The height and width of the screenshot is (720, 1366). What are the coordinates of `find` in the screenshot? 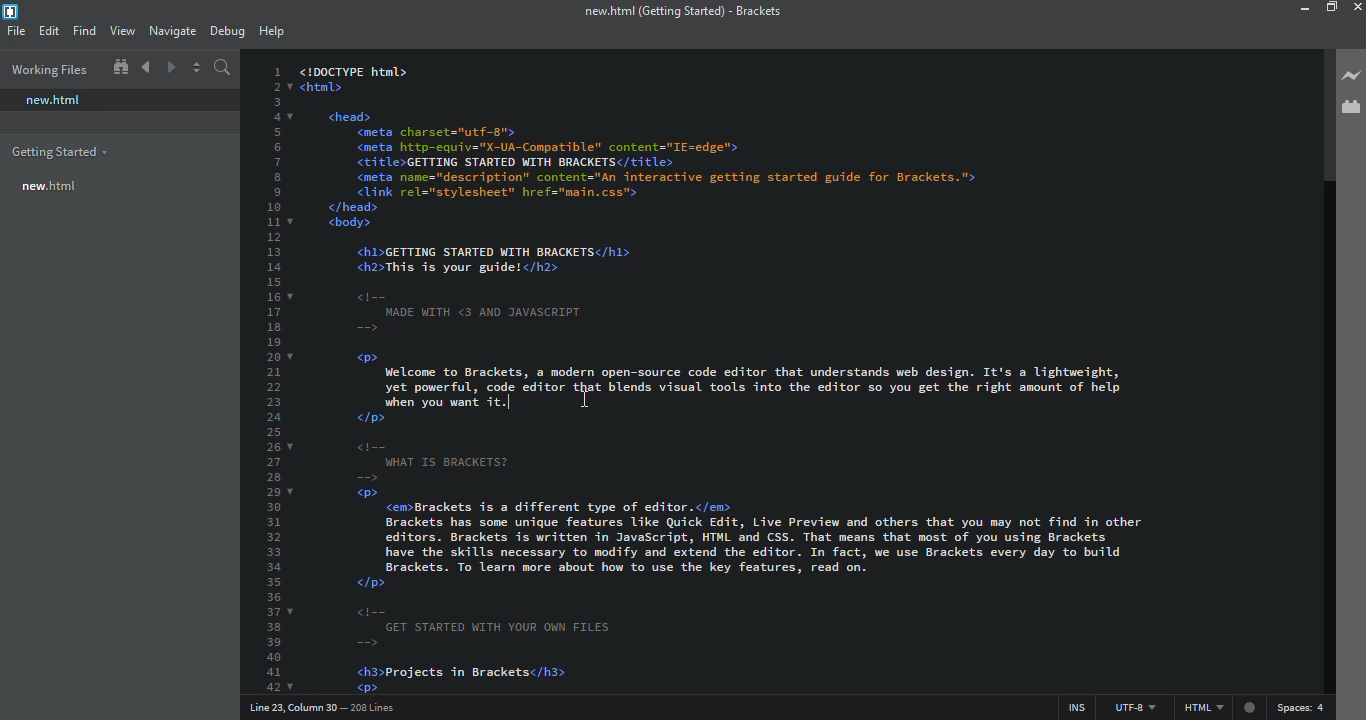 It's located at (85, 31).